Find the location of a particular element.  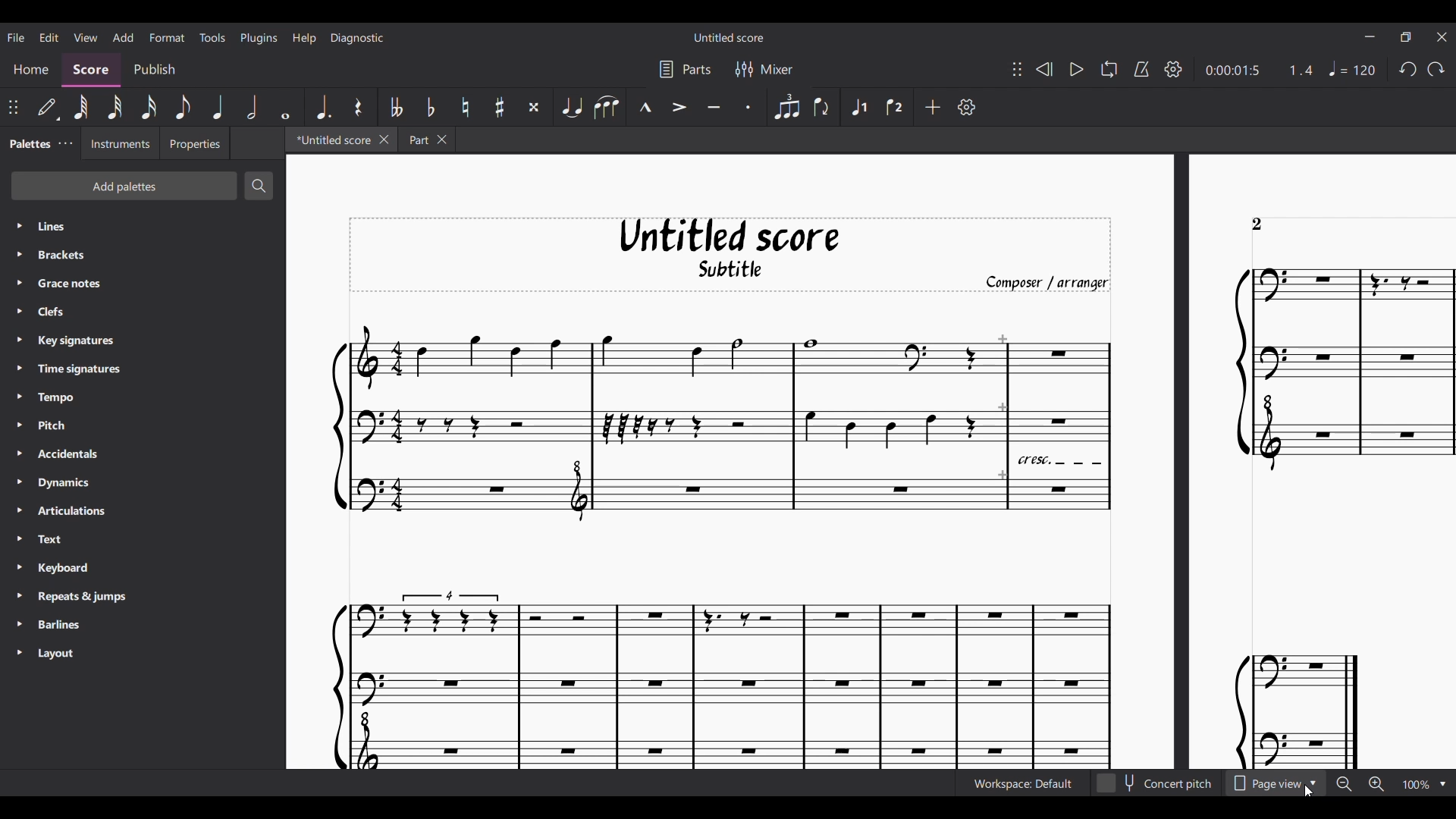

Zoom options  is located at coordinates (1442, 785).